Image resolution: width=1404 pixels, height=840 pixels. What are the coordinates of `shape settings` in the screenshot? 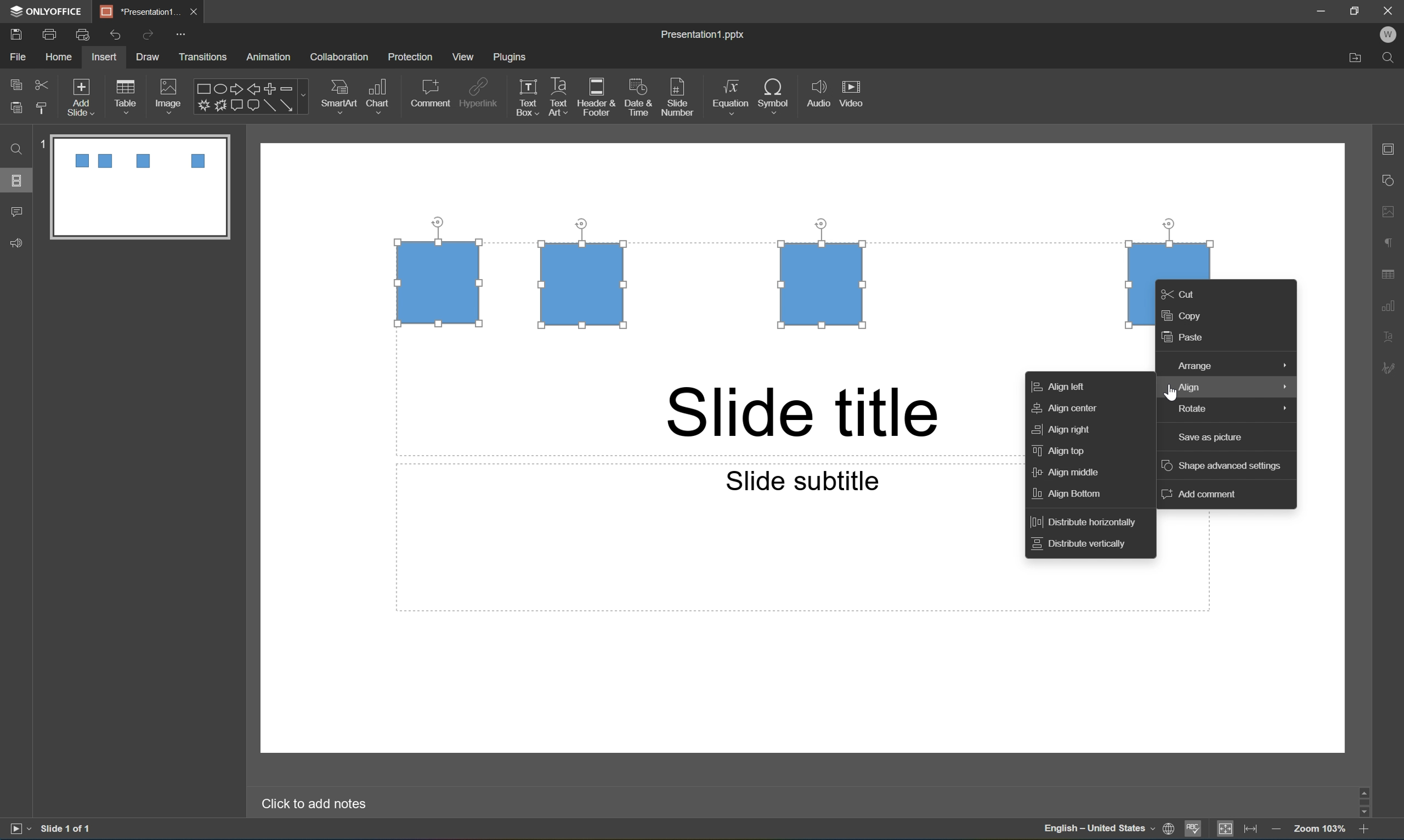 It's located at (1393, 180).